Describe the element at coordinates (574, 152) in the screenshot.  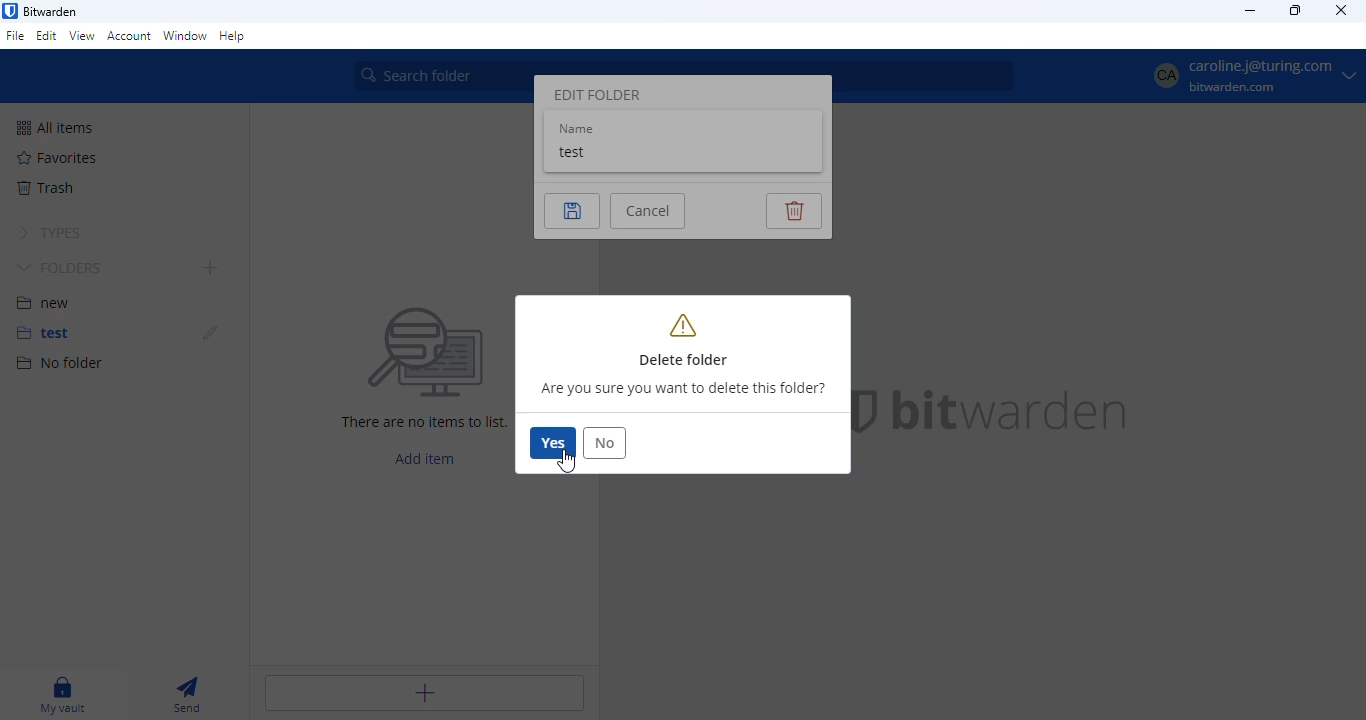
I see `test` at that location.